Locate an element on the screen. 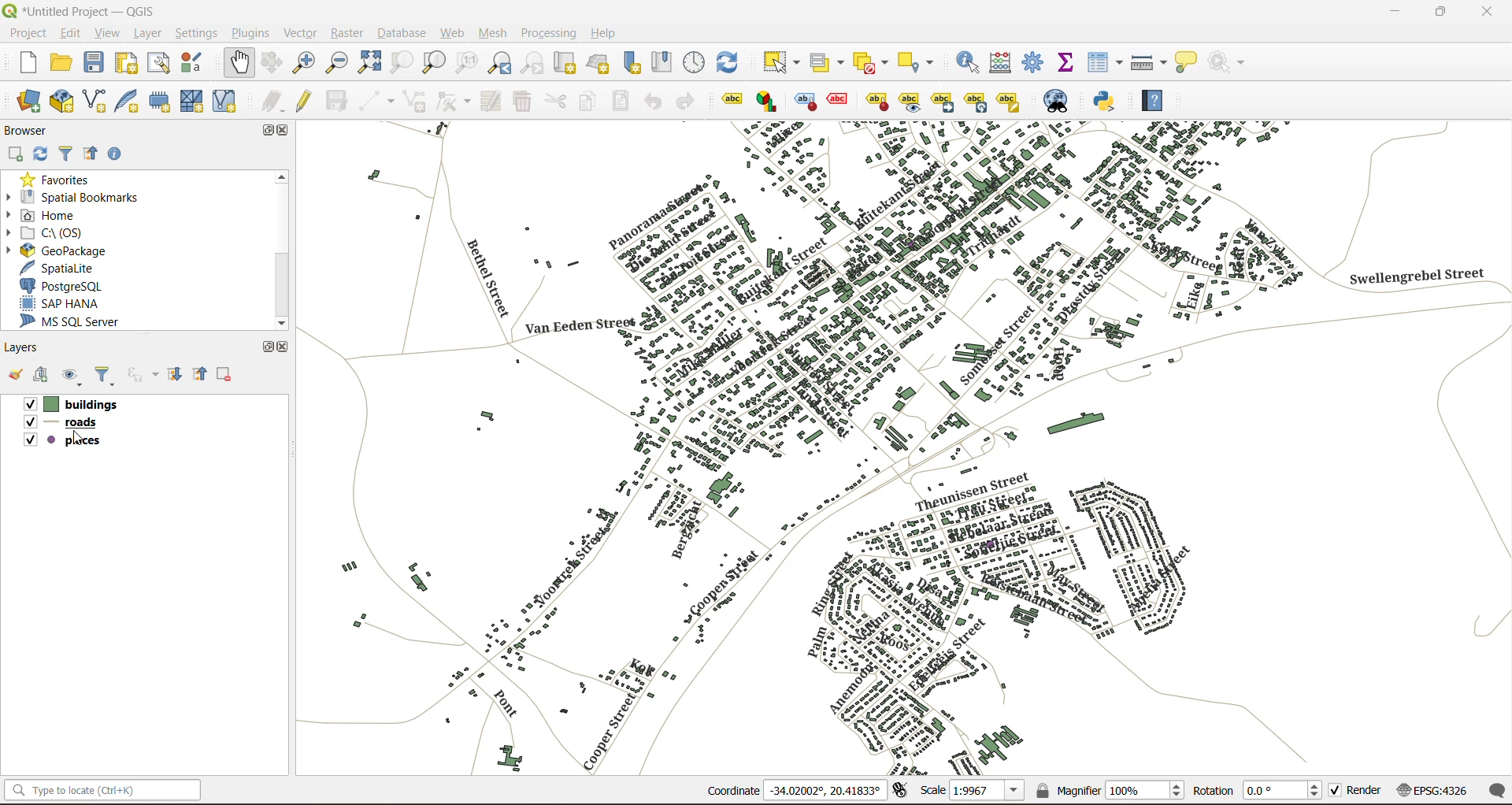  zoom next is located at coordinates (535, 61).